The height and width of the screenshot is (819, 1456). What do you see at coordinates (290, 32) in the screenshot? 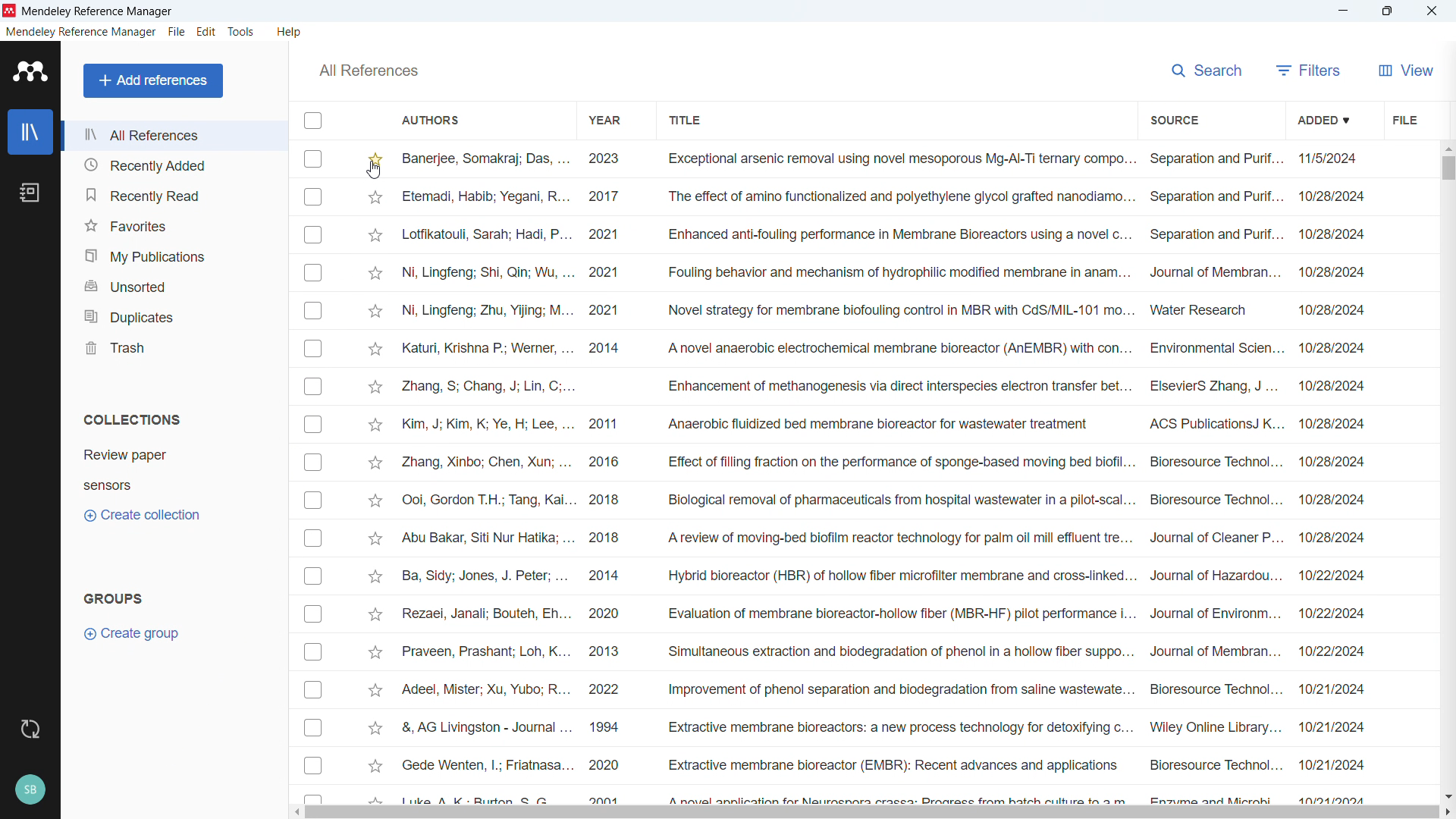
I see `help` at bounding box center [290, 32].